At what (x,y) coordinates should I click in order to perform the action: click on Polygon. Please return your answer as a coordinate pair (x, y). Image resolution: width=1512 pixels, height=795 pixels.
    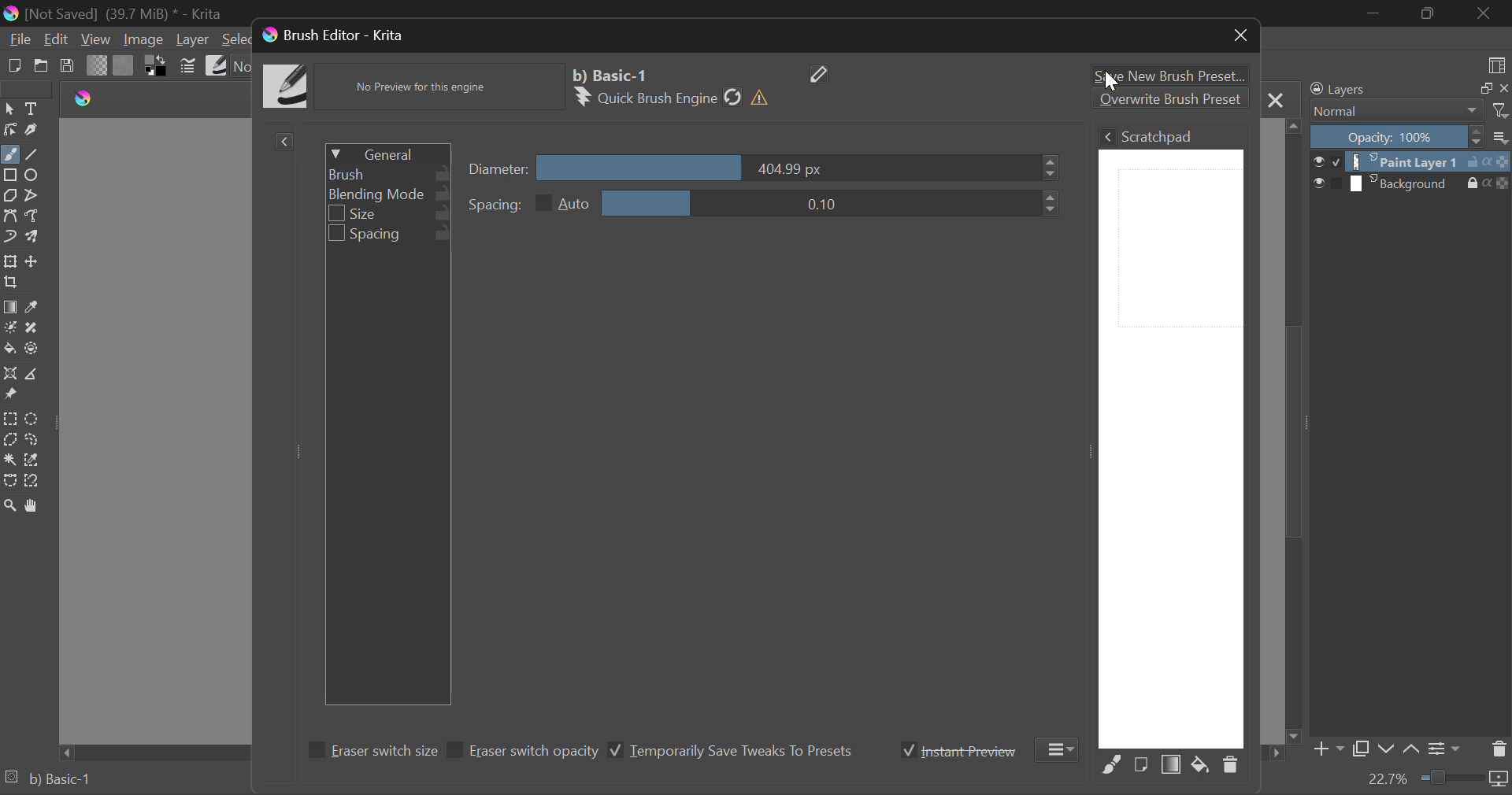
    Looking at the image, I should click on (11, 196).